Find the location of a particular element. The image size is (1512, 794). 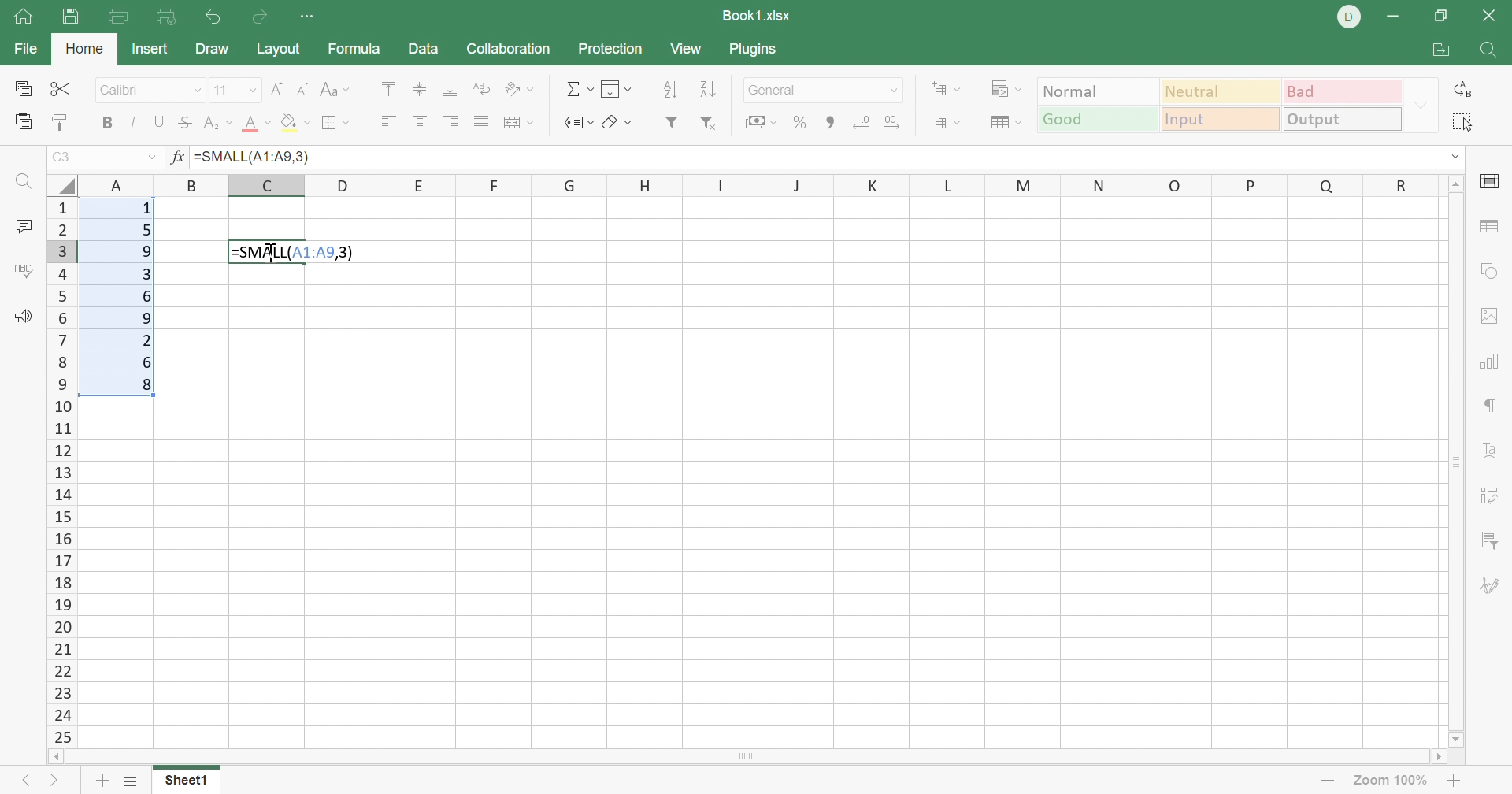

Summation is located at coordinates (580, 91).